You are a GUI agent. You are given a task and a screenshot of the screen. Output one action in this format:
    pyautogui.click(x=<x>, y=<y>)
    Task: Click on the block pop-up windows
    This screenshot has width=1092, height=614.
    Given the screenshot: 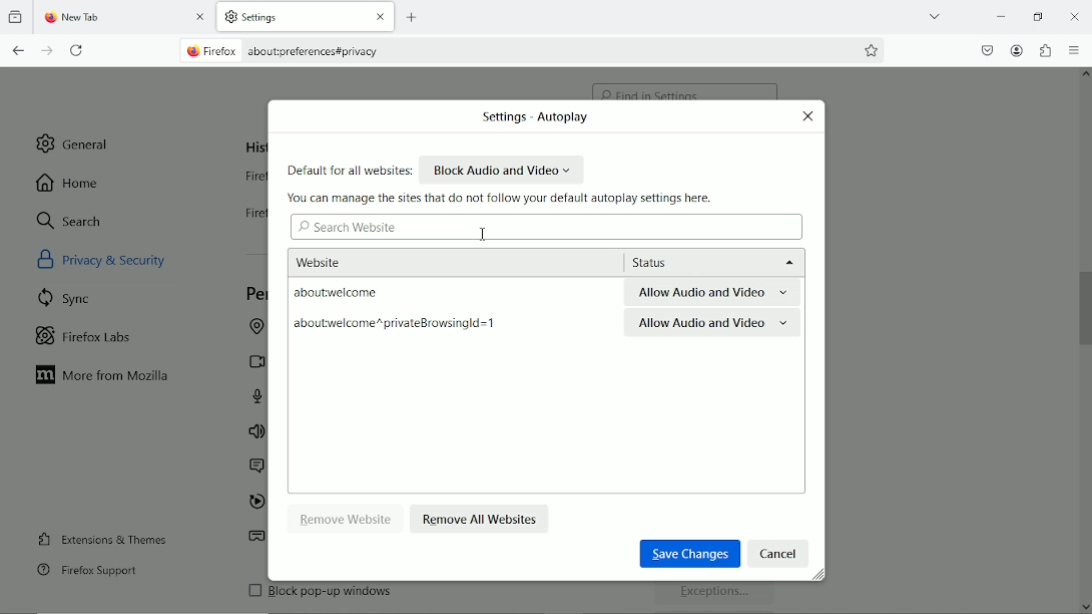 What is the action you would take?
    pyautogui.click(x=387, y=596)
    